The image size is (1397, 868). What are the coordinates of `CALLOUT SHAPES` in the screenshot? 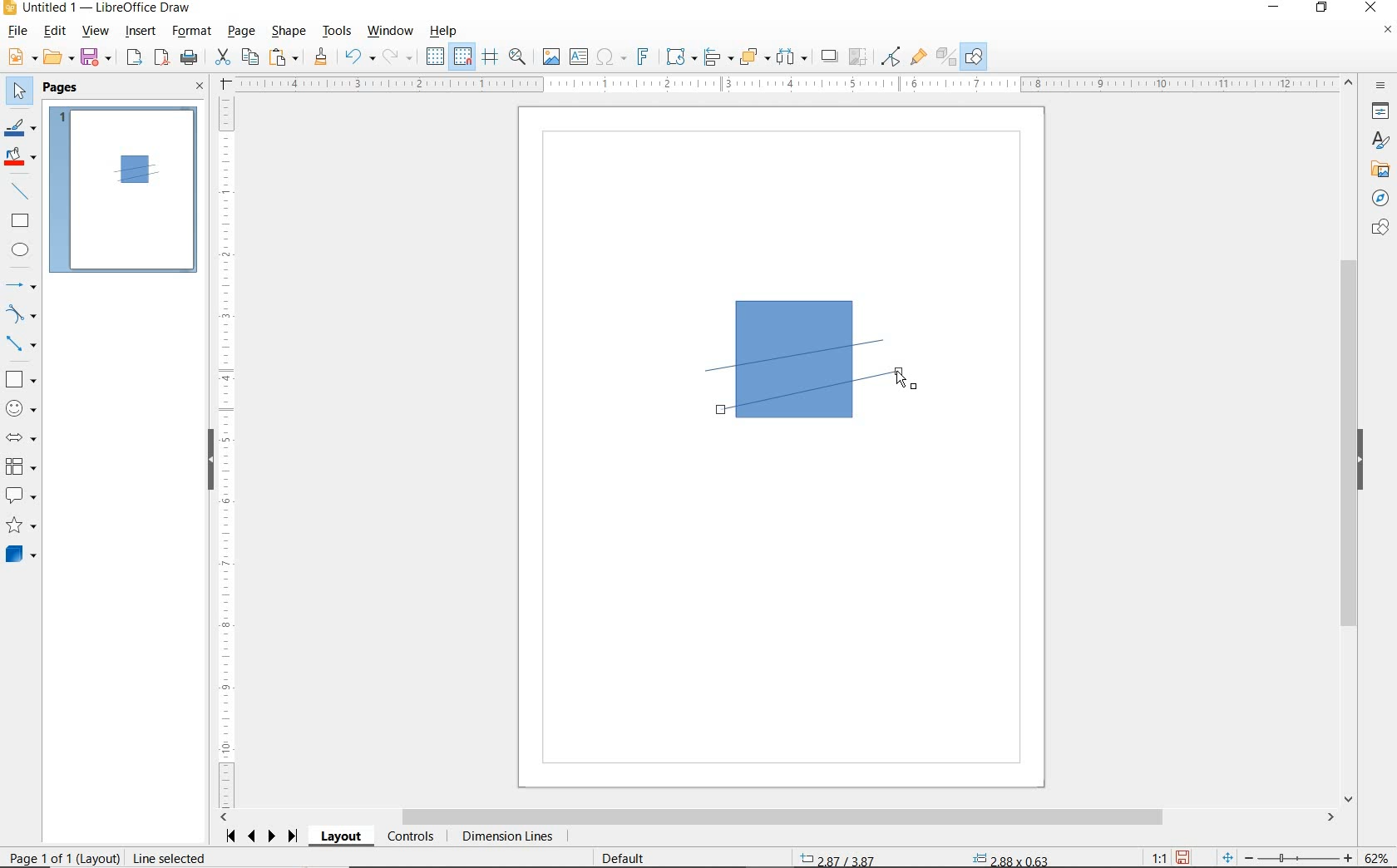 It's located at (22, 496).